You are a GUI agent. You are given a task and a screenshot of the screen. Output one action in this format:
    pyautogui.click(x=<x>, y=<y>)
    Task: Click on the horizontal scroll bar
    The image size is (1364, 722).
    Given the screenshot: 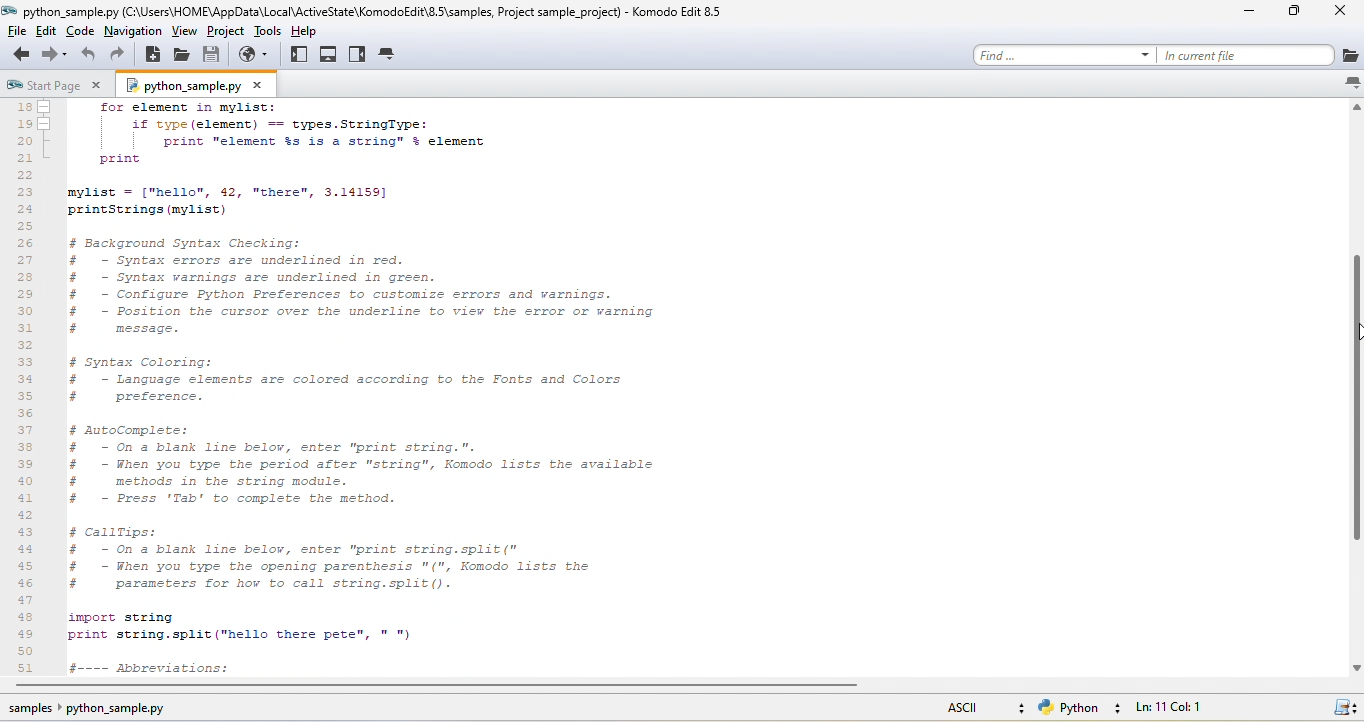 What is the action you would take?
    pyautogui.click(x=438, y=687)
    